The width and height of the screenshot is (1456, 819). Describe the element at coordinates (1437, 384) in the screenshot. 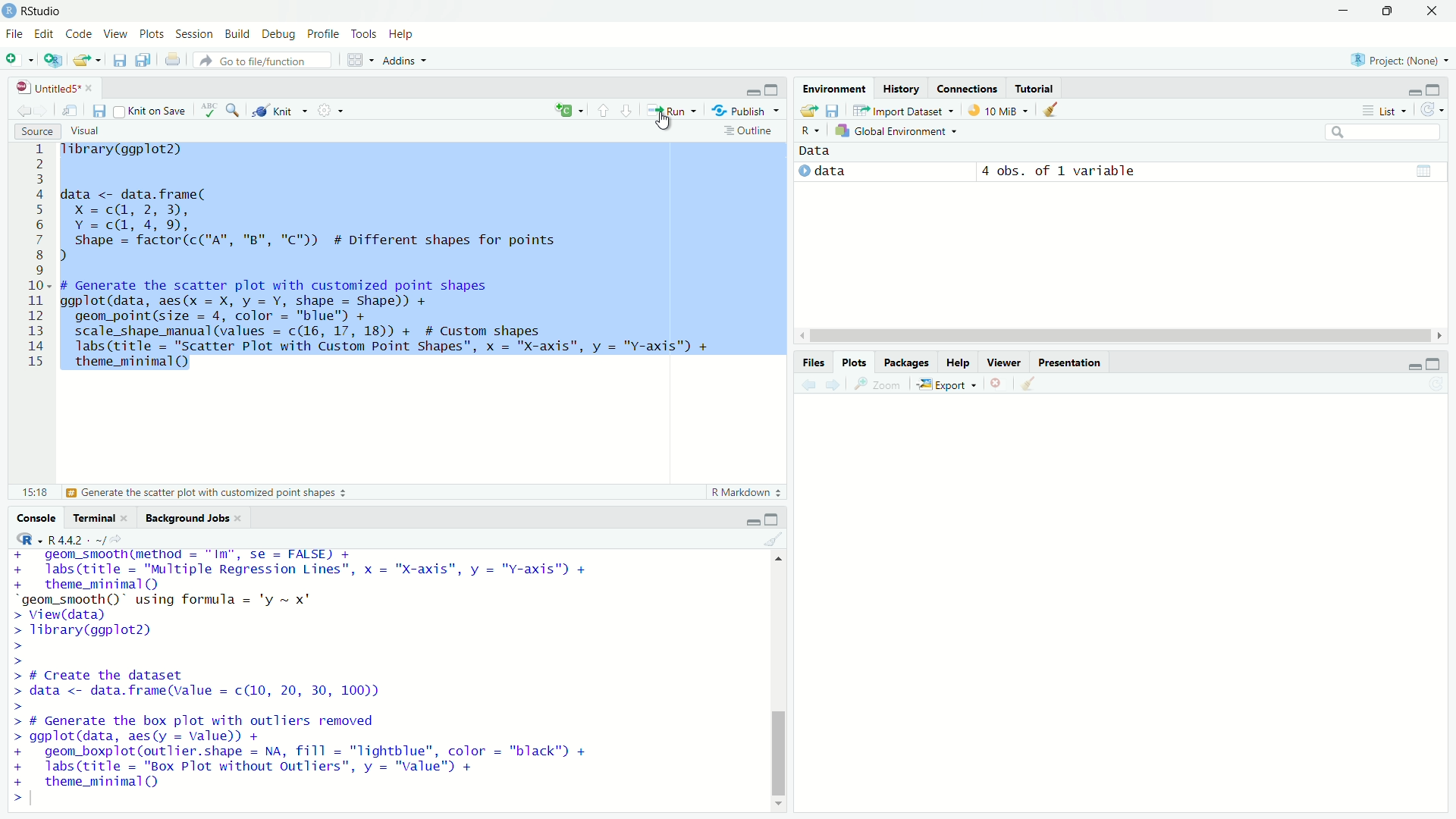

I see `Refresh current plot` at that location.